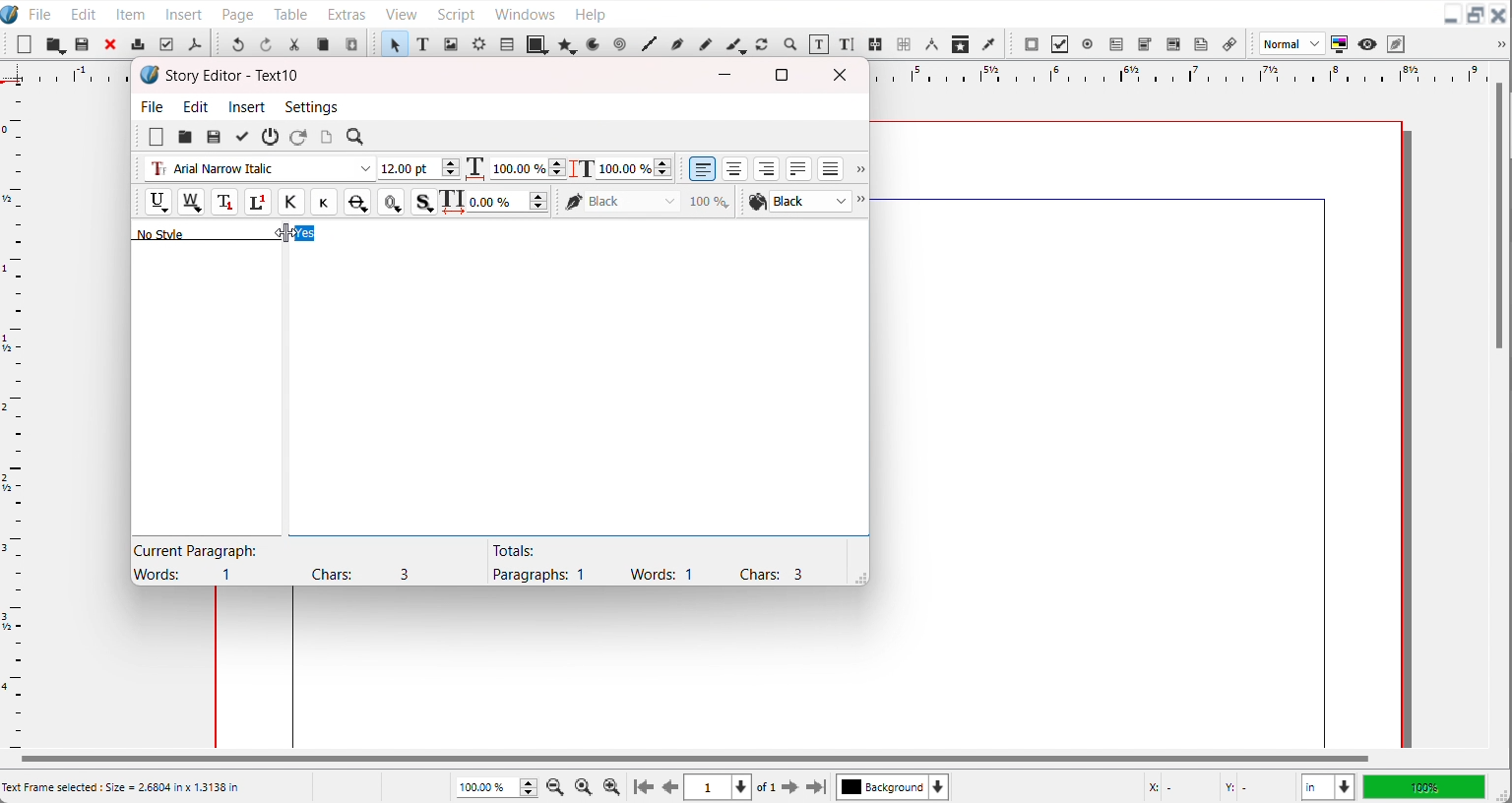  I want to click on Minimize, so click(1451, 16).